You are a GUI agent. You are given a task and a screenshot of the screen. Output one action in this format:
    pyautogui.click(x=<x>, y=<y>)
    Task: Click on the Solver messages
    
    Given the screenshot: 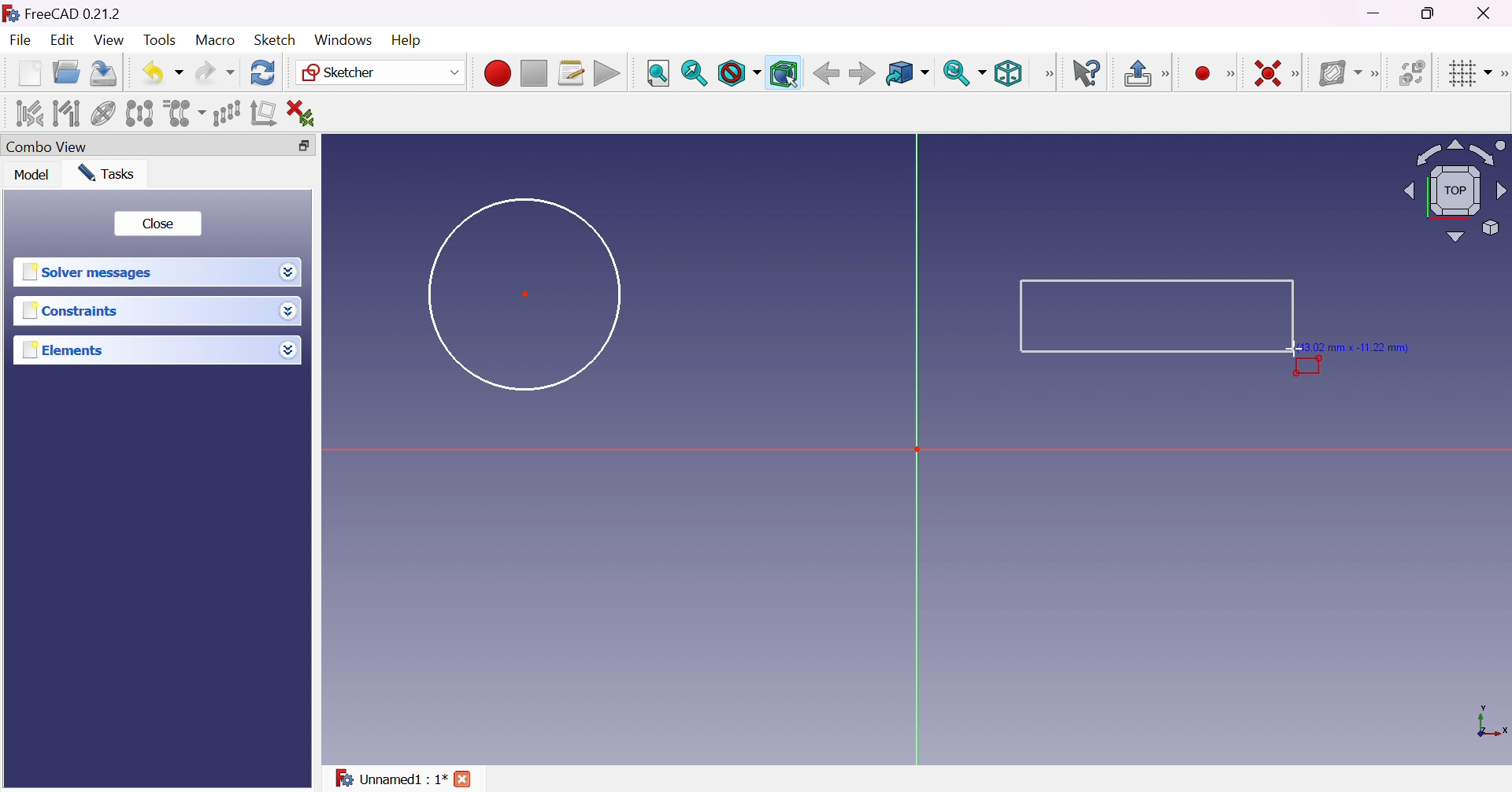 What is the action you would take?
    pyautogui.click(x=87, y=272)
    